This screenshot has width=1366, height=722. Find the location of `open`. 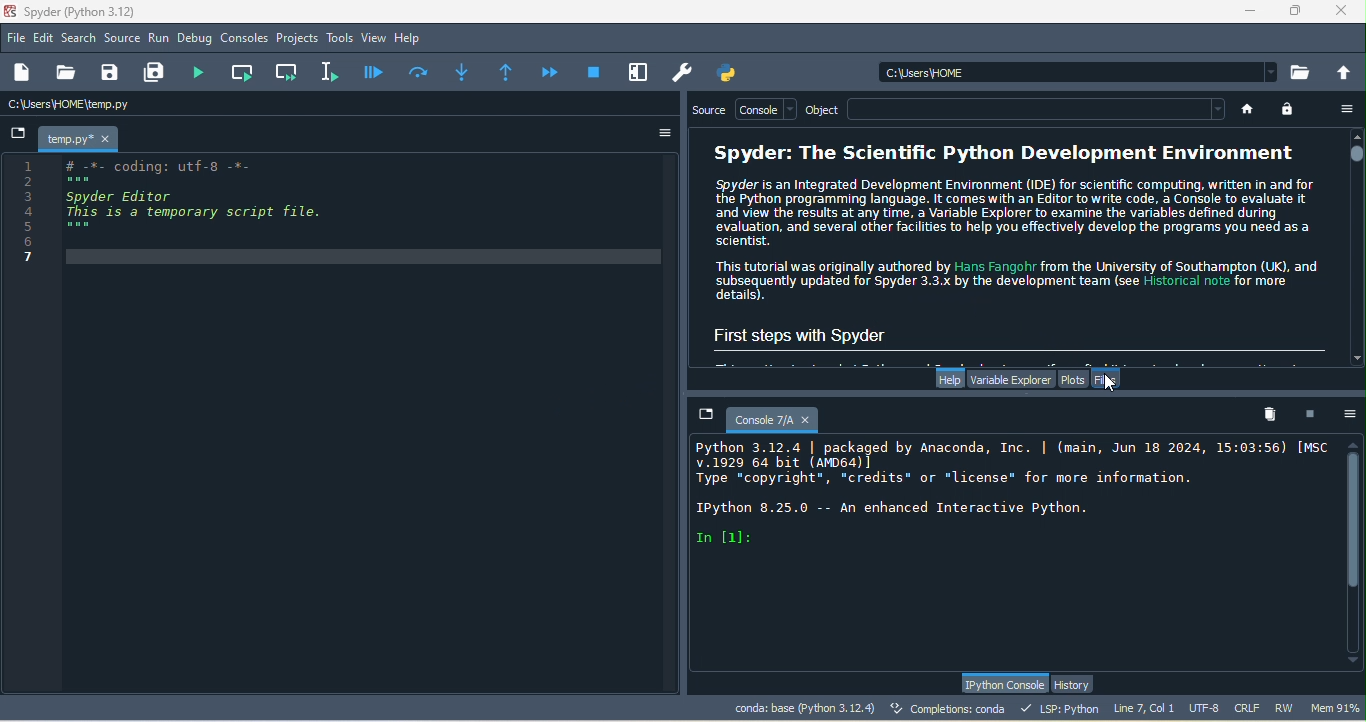

open is located at coordinates (65, 73).